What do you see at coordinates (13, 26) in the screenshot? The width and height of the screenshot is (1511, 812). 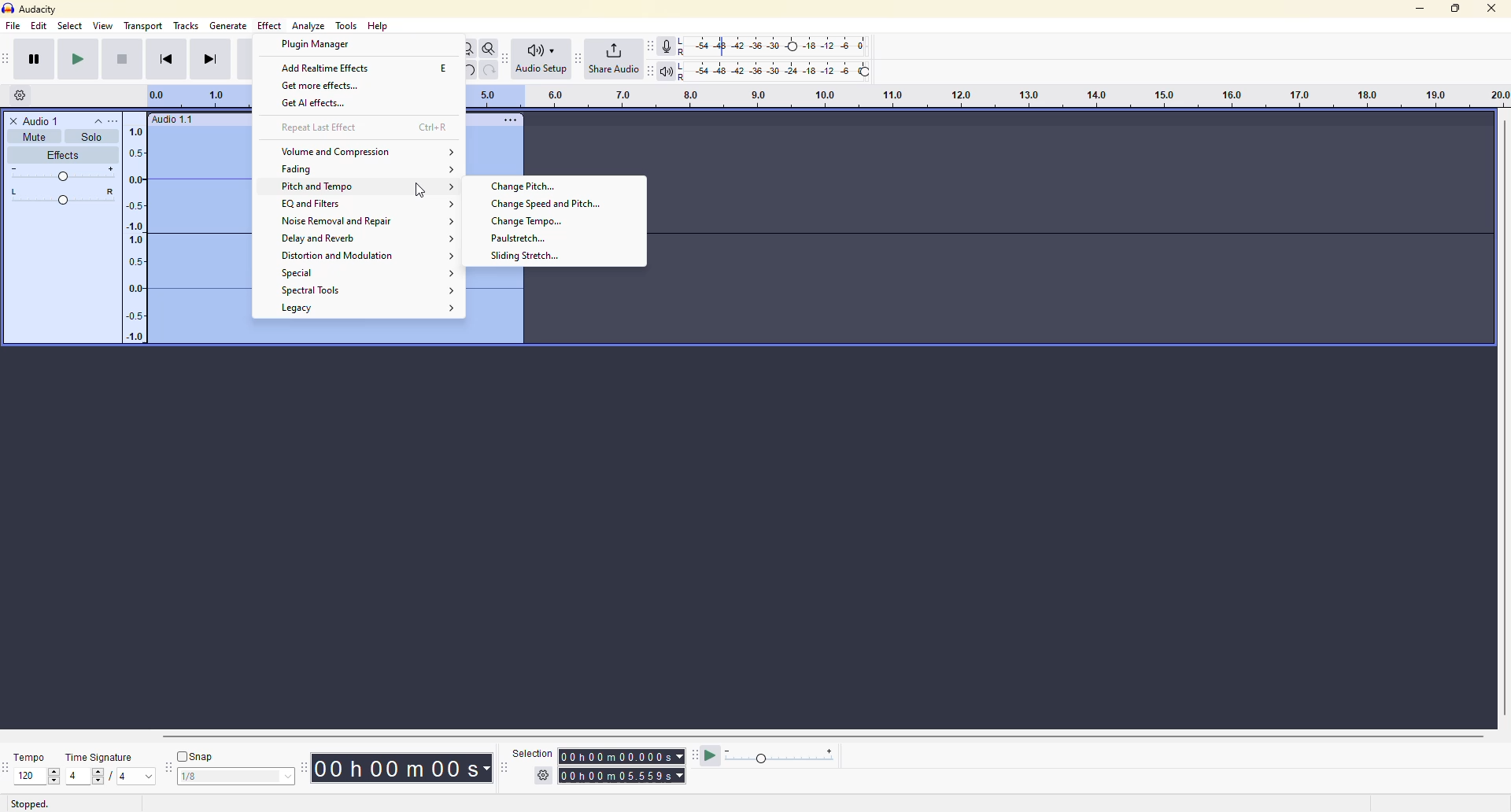 I see `file` at bounding box center [13, 26].